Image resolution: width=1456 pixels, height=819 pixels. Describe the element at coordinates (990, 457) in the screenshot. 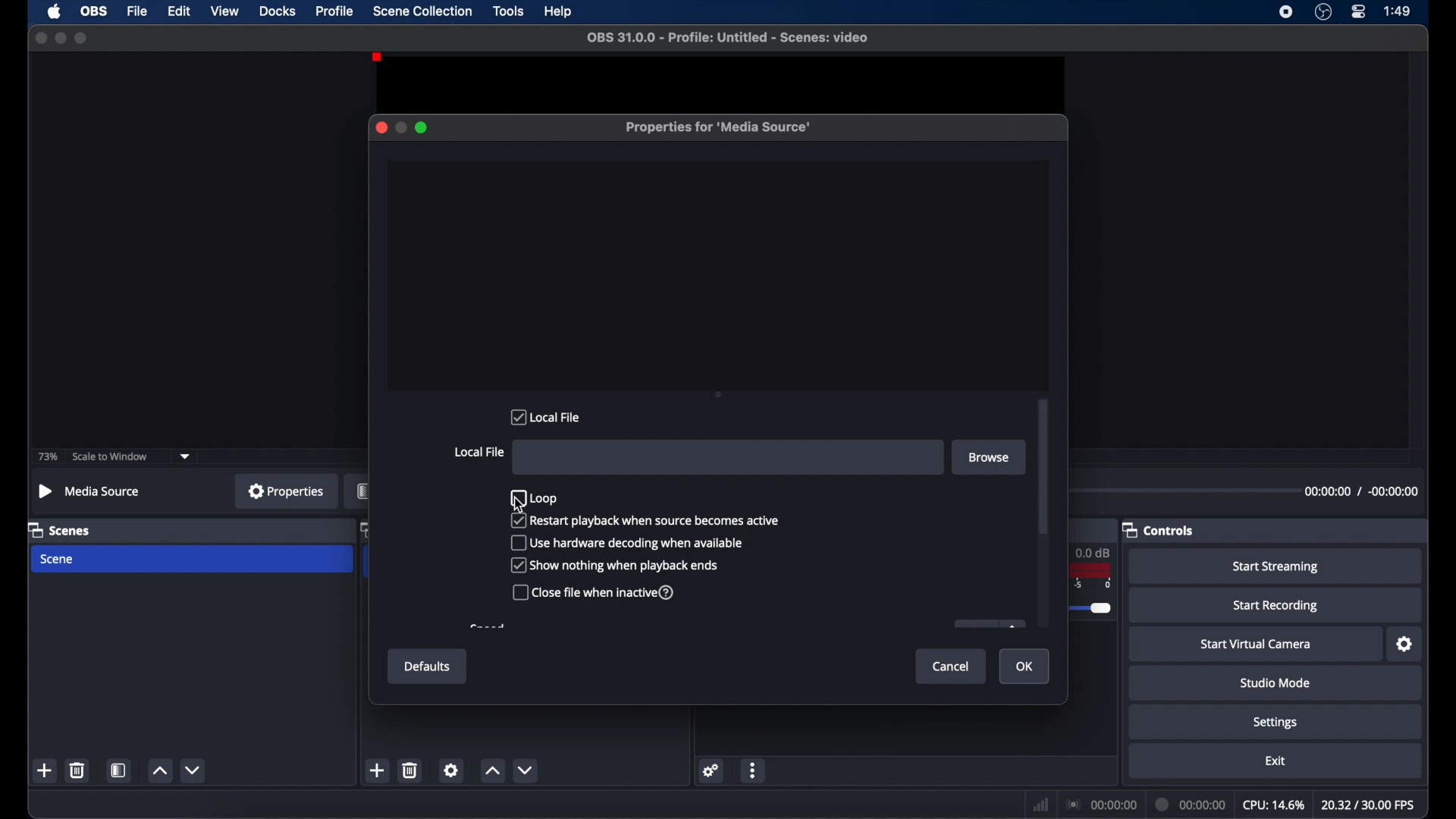

I see `browse` at that location.